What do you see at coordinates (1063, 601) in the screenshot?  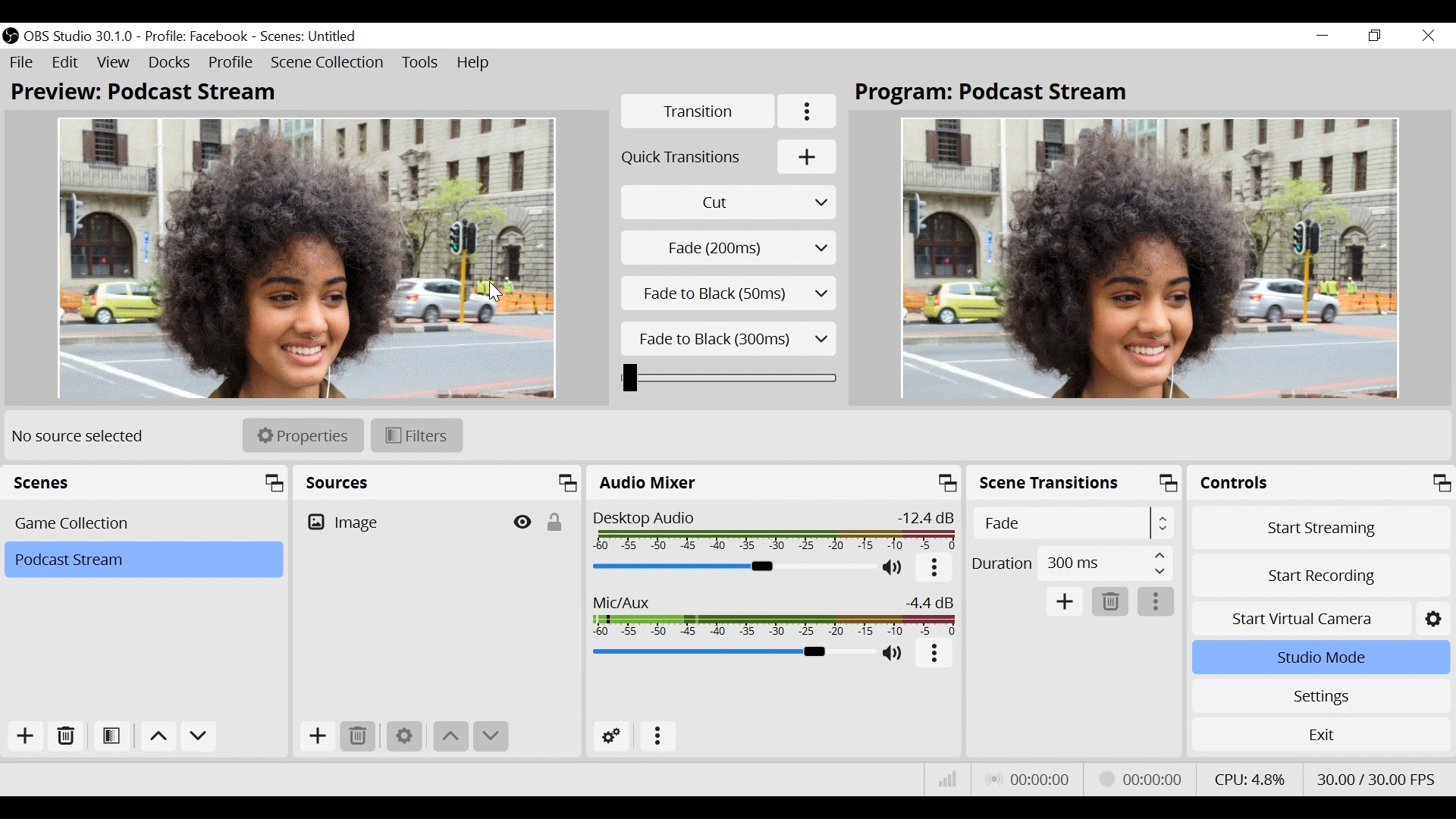 I see `Add` at bounding box center [1063, 601].